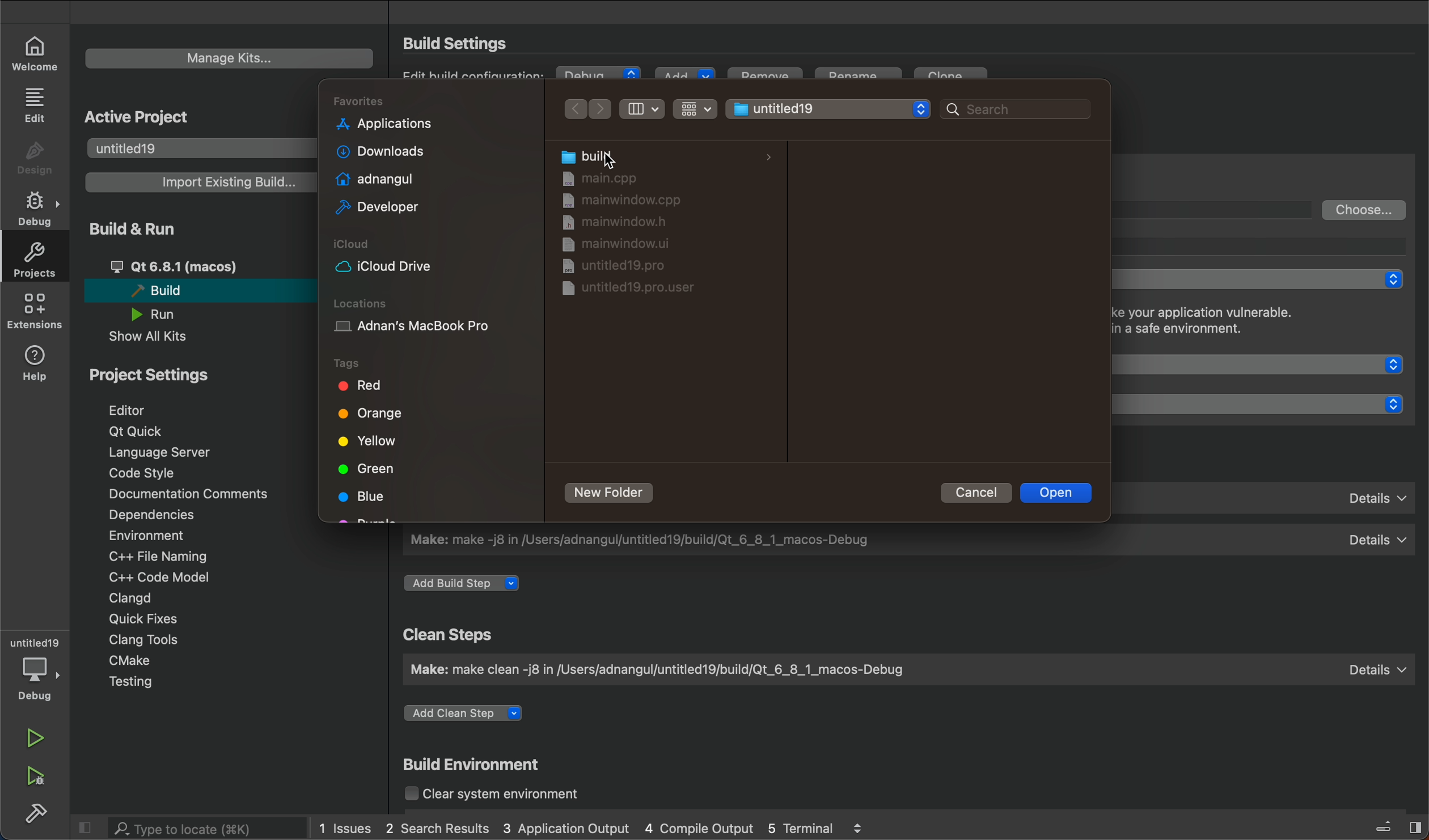 This screenshot has height=840, width=1429. Describe the element at coordinates (374, 208) in the screenshot. I see `developer` at that location.